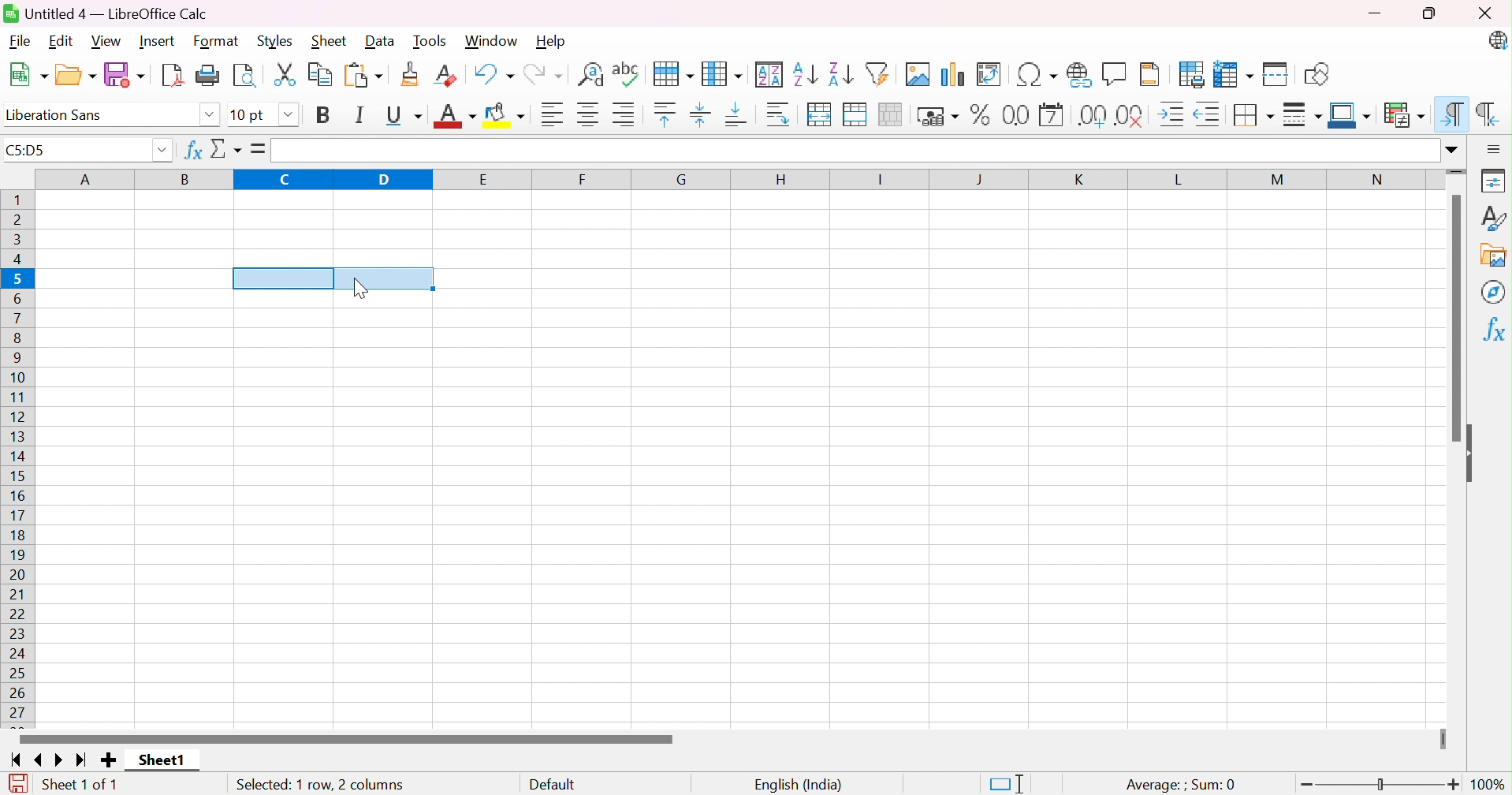  Describe the element at coordinates (840, 71) in the screenshot. I see `Sort Descending` at that location.